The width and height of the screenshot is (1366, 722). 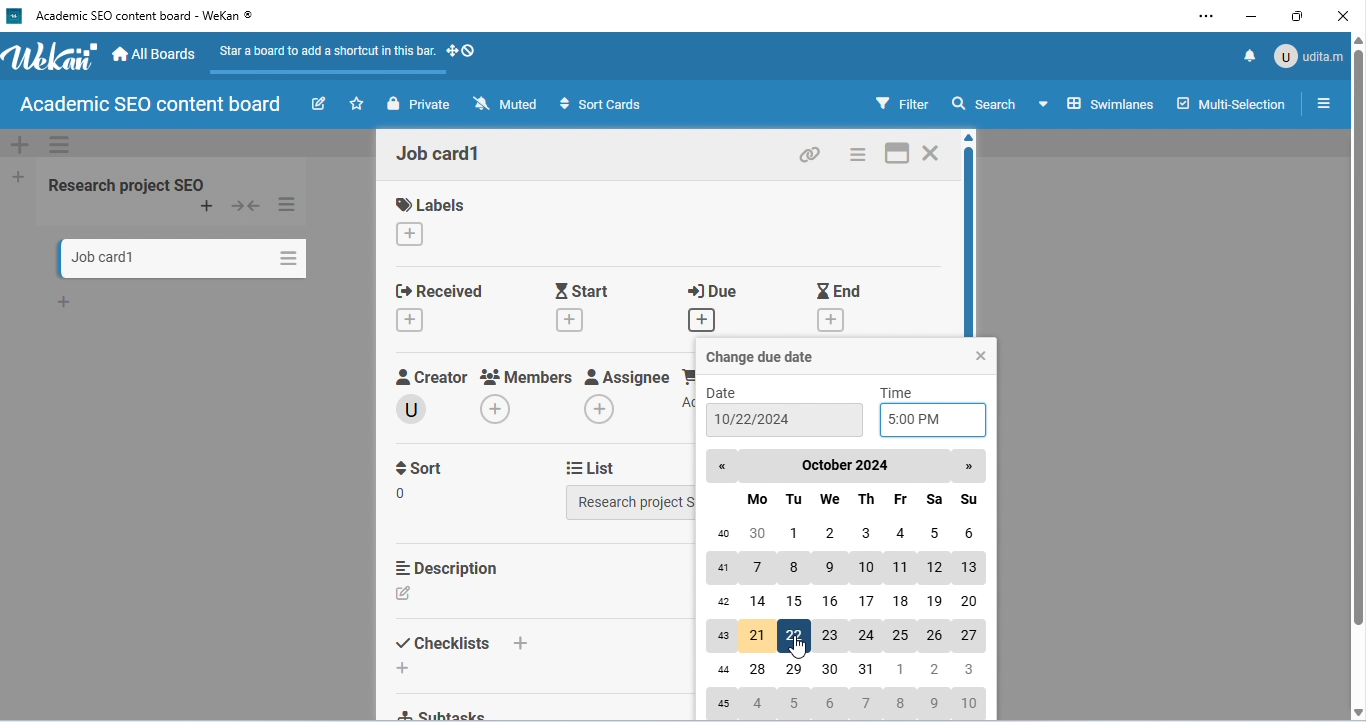 I want to click on star a board to add a shortcut in this bar, so click(x=323, y=57).